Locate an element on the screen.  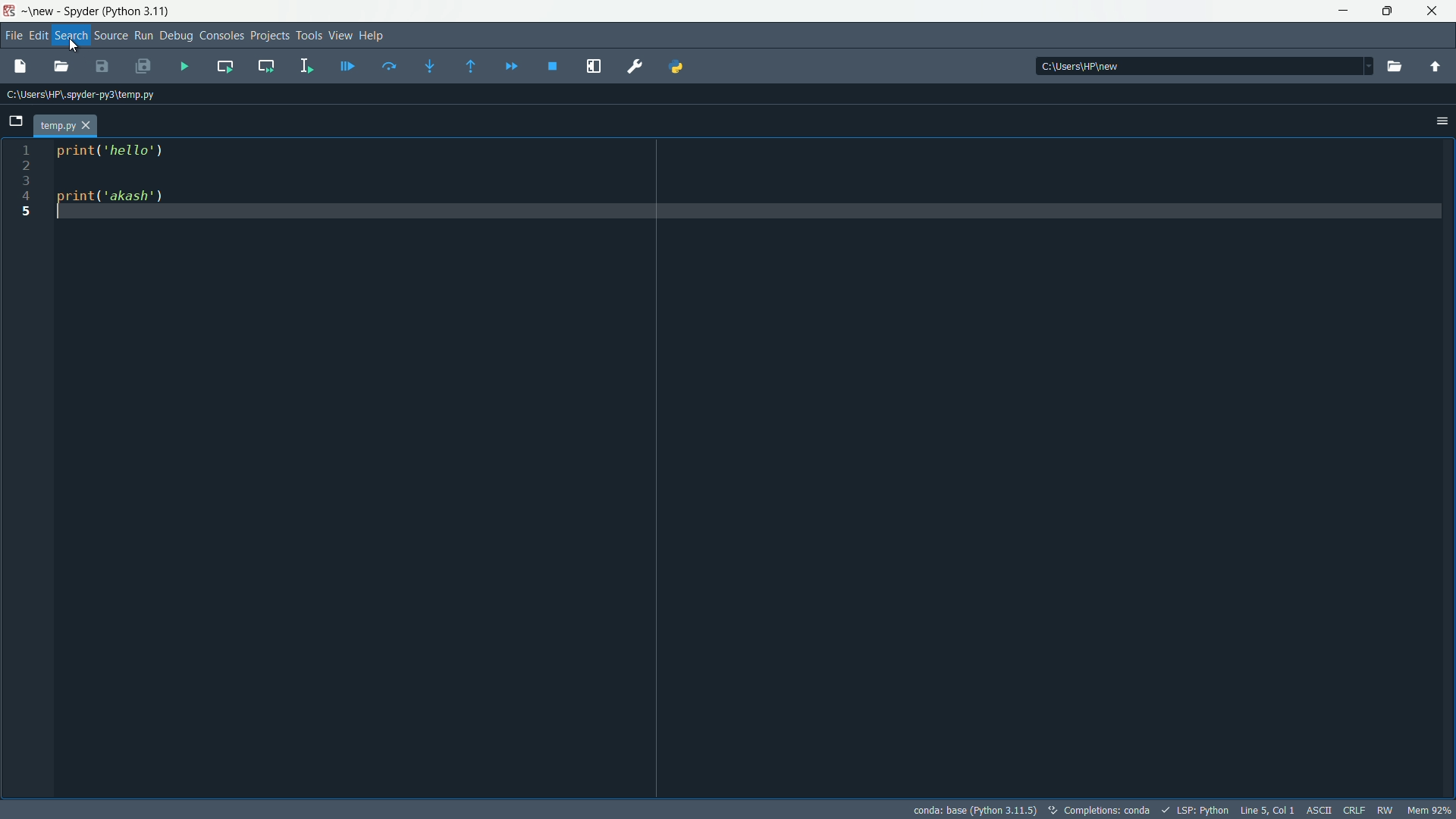
close app is located at coordinates (1432, 11).